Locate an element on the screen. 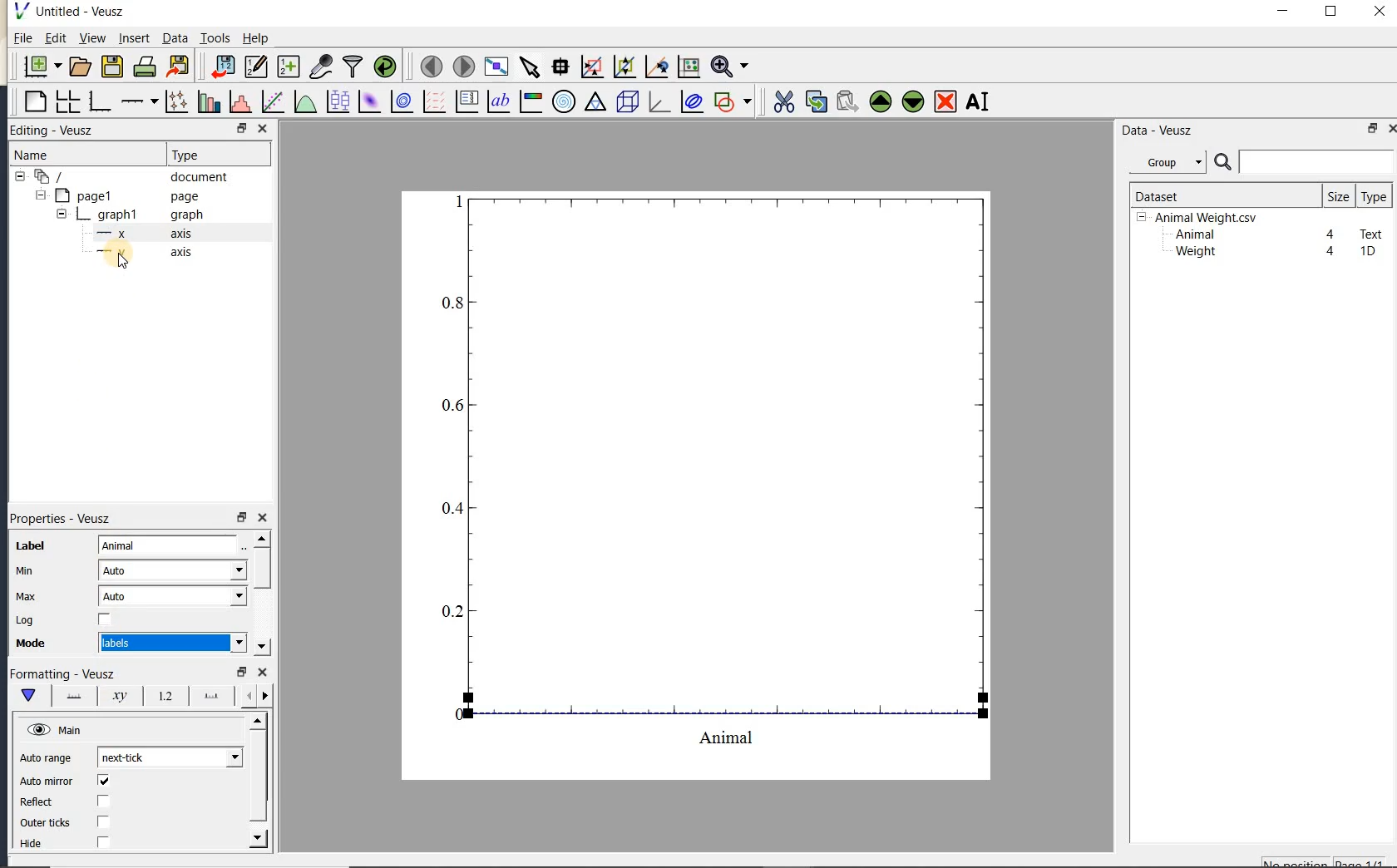 The image size is (1397, 868). axis line is located at coordinates (71, 696).